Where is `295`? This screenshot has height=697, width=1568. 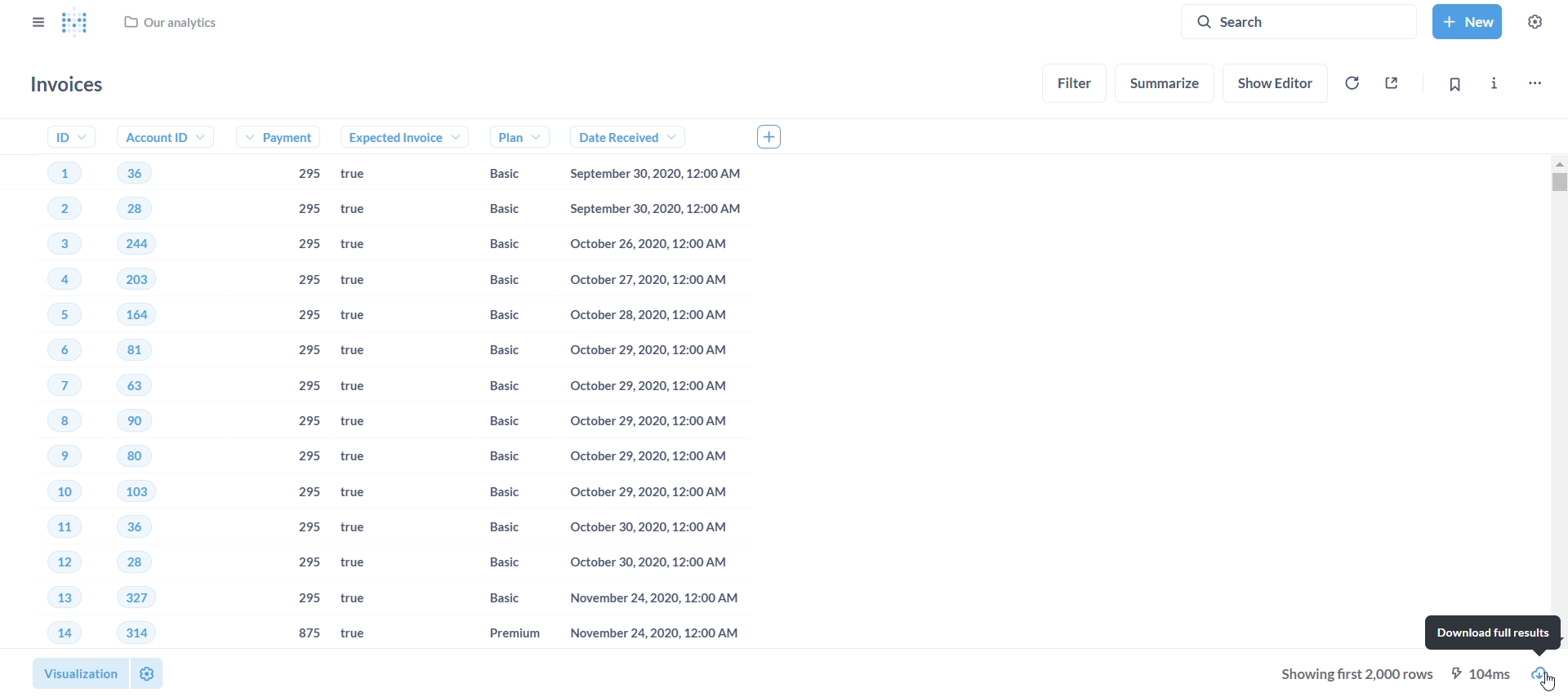
295 is located at coordinates (308, 599).